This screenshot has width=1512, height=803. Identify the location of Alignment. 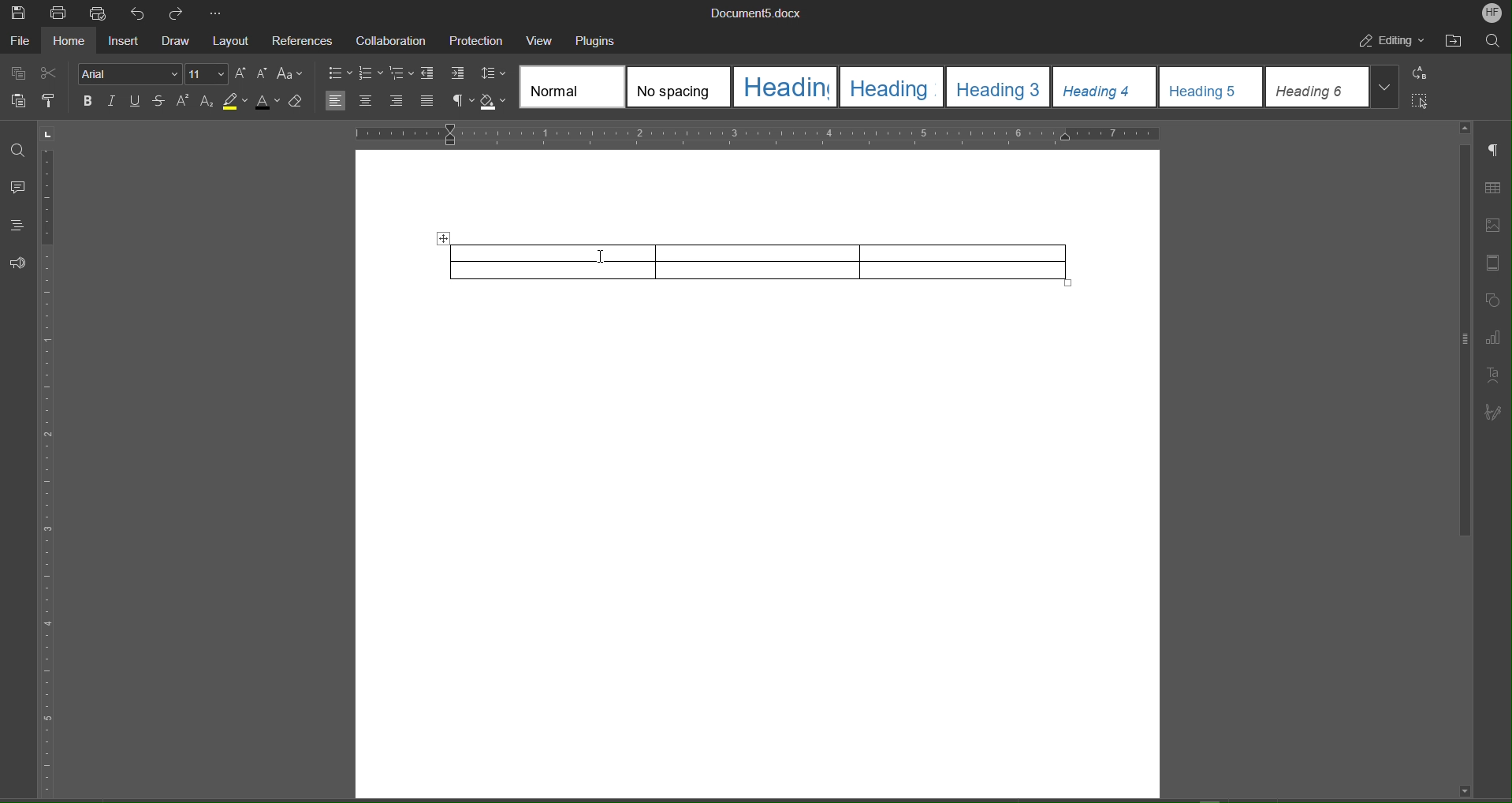
(380, 101).